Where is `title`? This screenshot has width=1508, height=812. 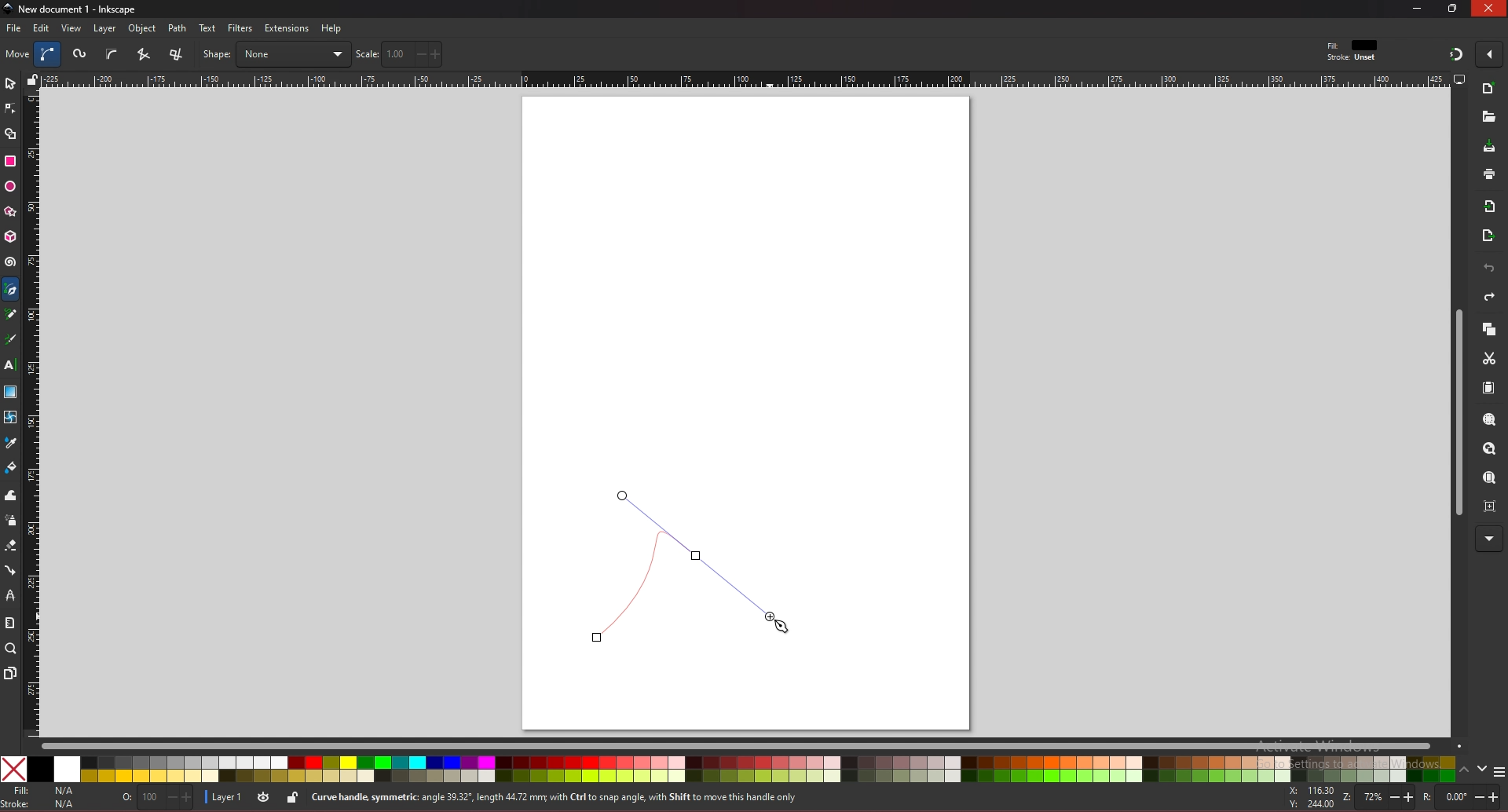 title is located at coordinates (72, 8).